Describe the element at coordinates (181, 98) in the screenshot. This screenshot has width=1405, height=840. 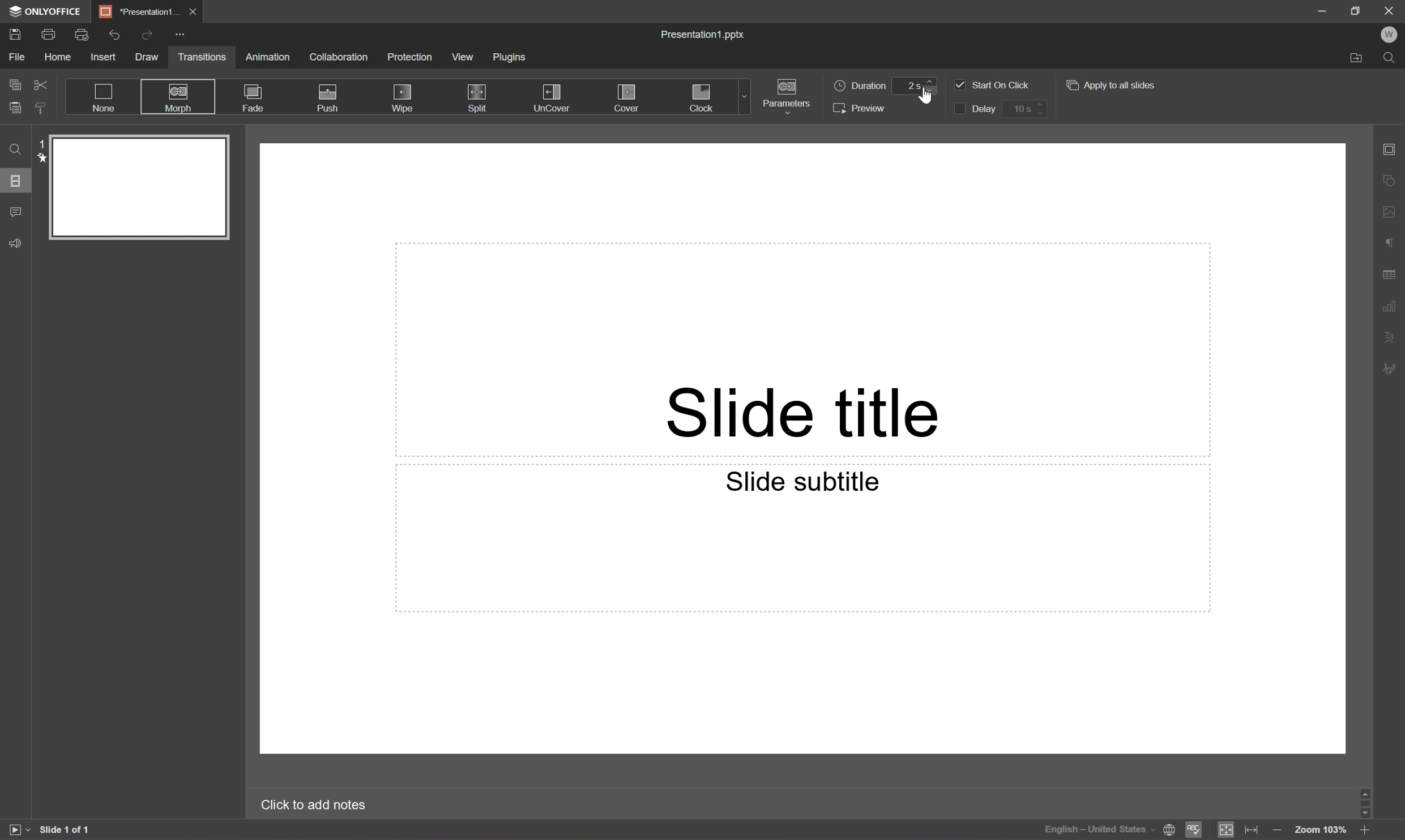
I see `Morph` at that location.